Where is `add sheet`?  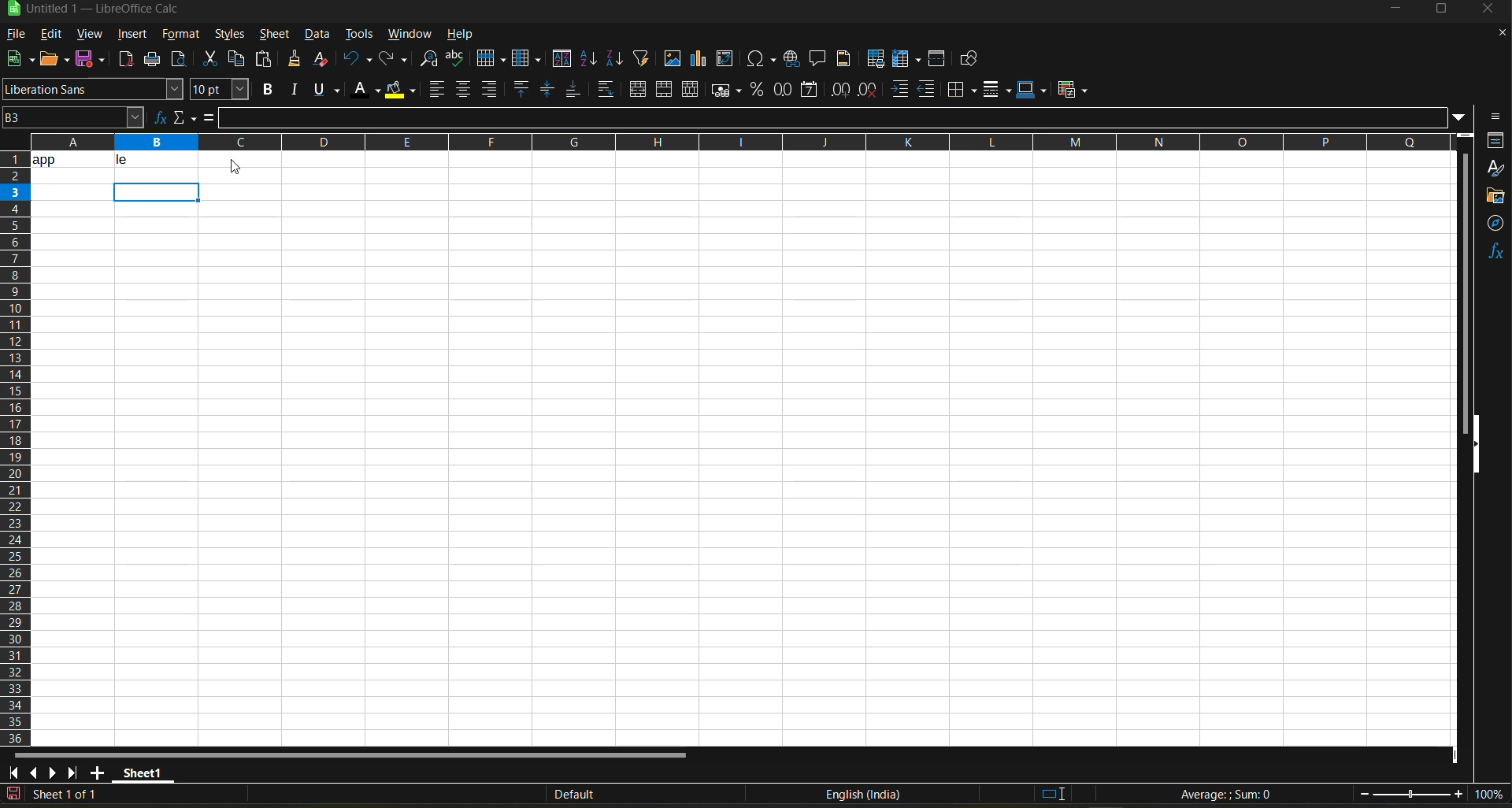
add sheet is located at coordinates (97, 773).